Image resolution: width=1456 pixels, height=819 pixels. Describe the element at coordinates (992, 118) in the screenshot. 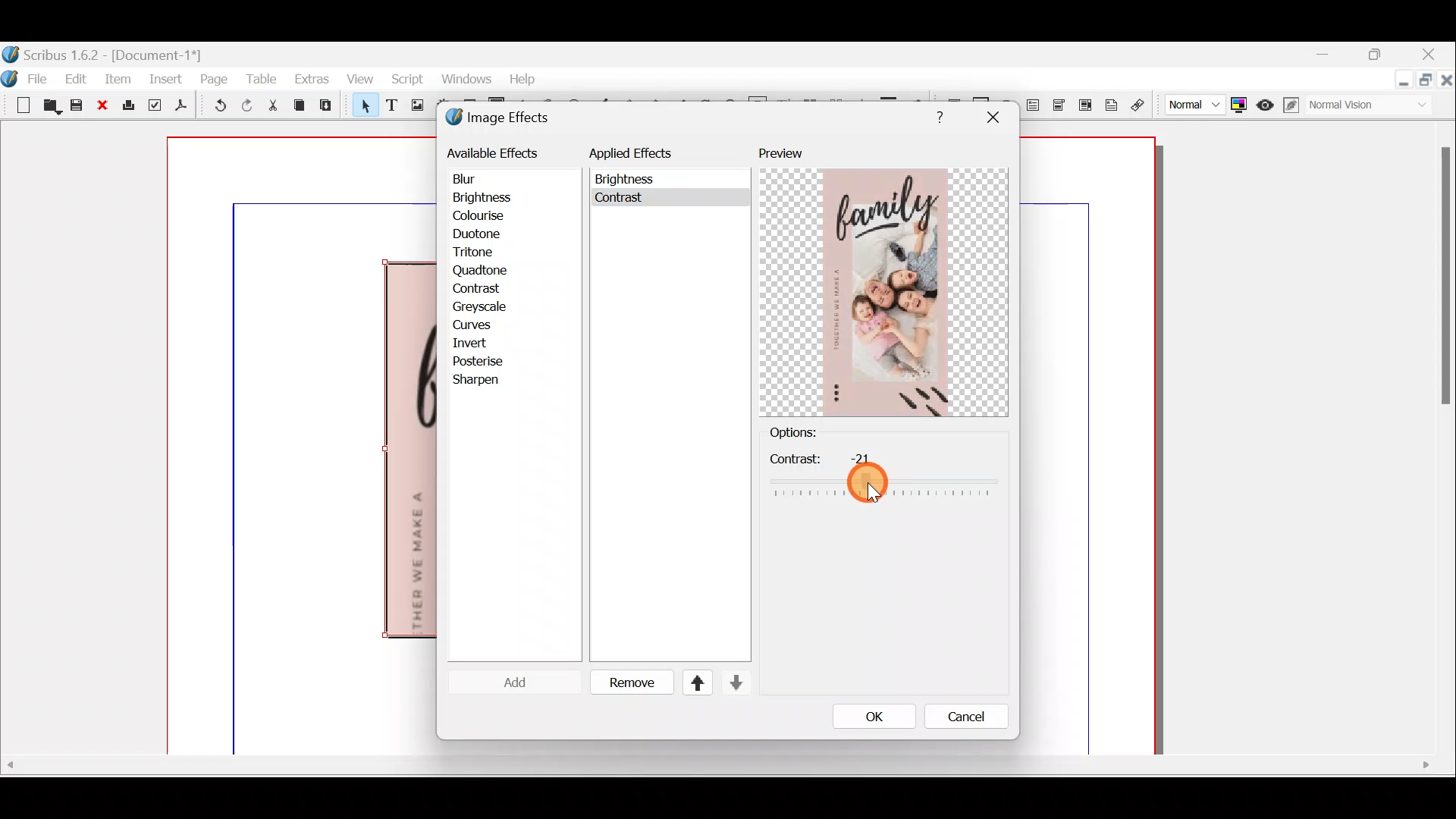

I see `` at that location.